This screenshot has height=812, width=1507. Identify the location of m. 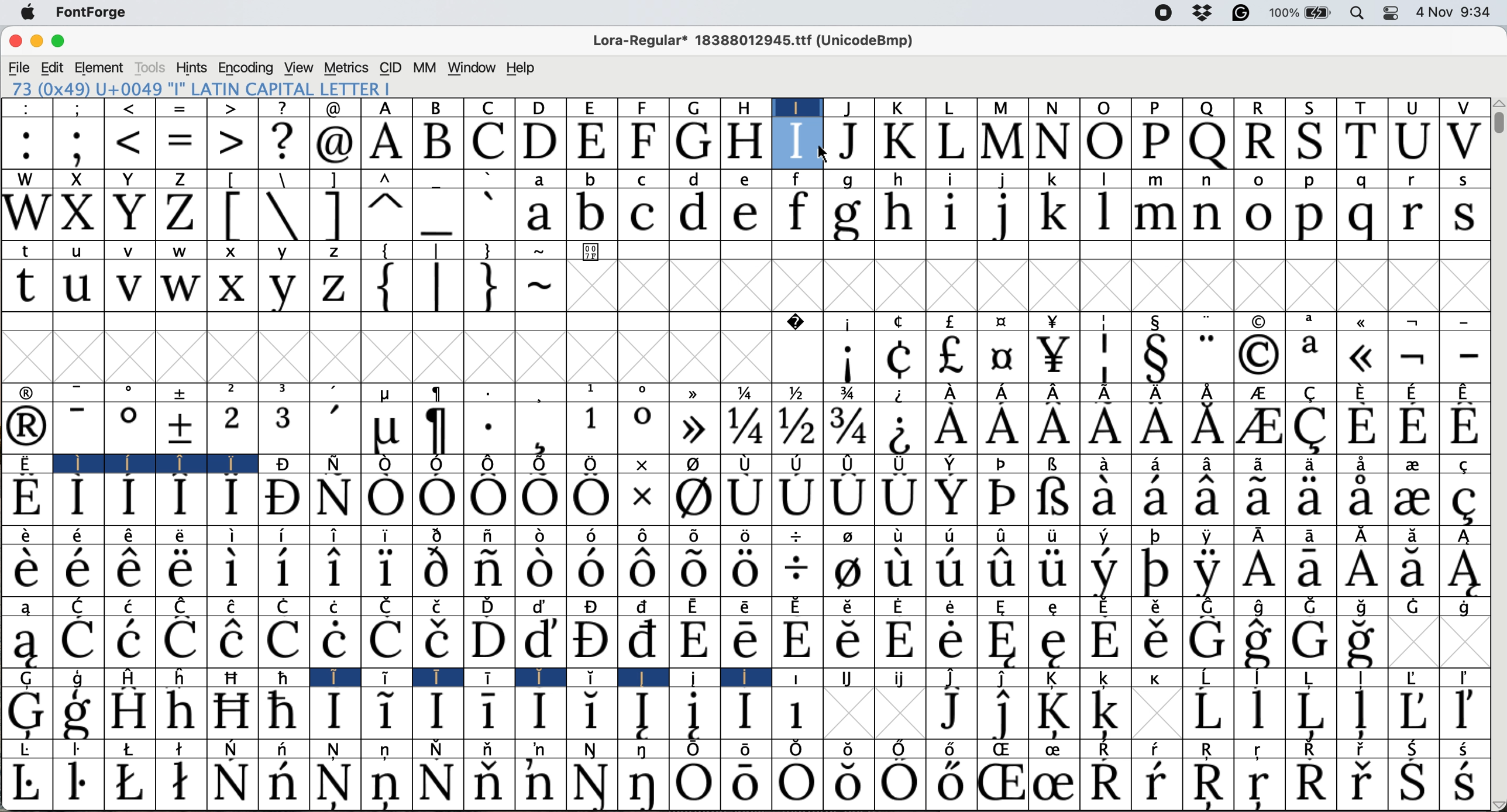
(1156, 180).